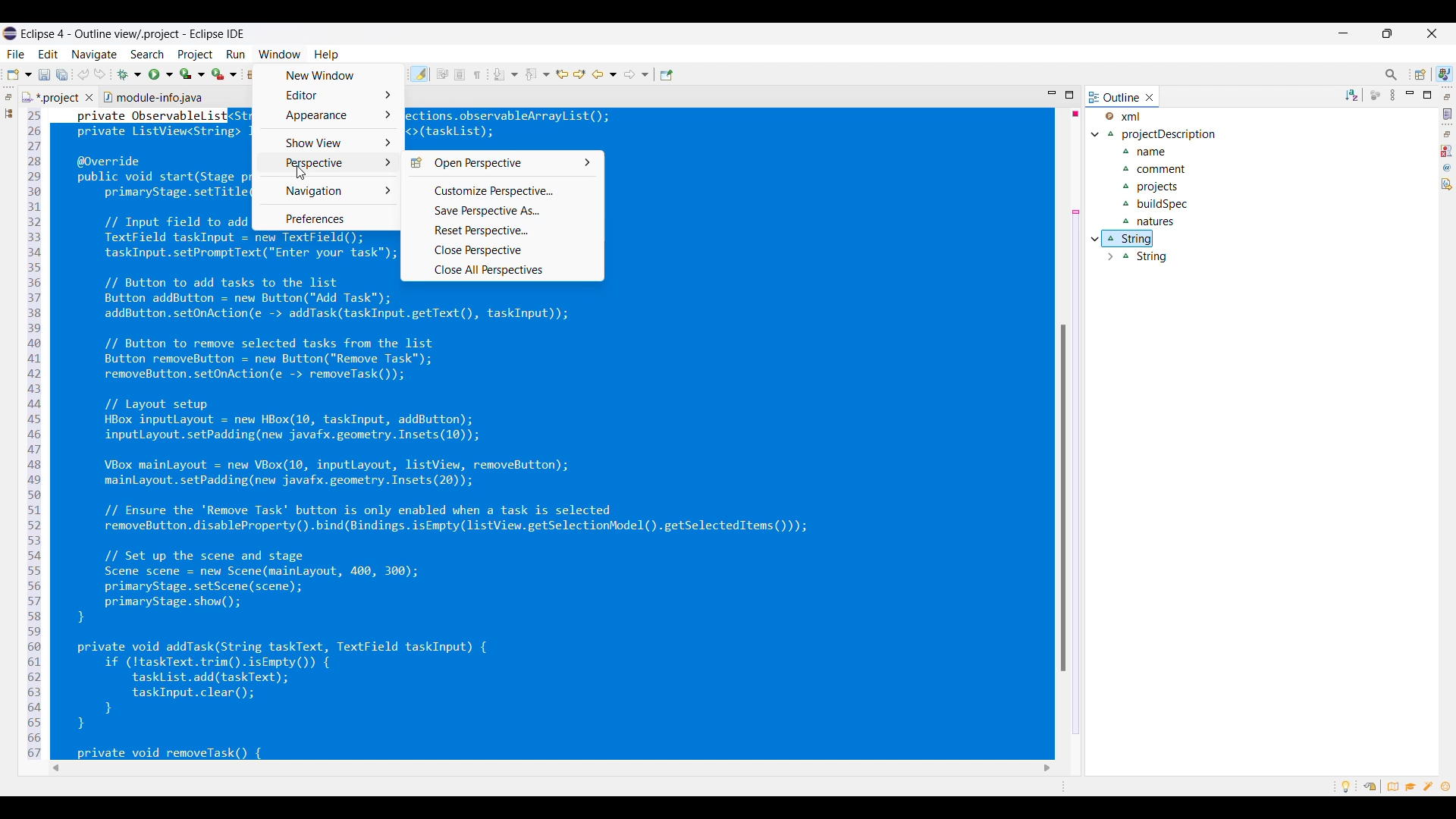 The width and height of the screenshot is (1456, 819). Describe the element at coordinates (330, 115) in the screenshot. I see `Appearance options` at that location.